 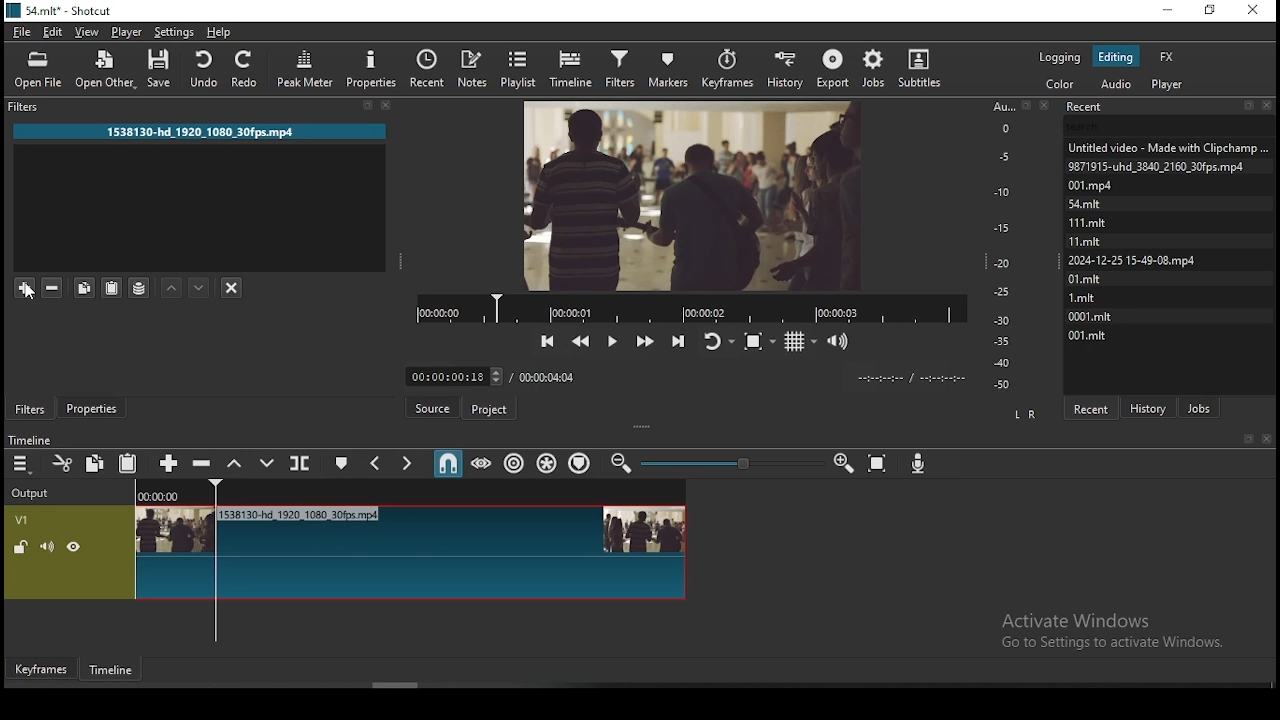 What do you see at coordinates (1134, 259) in the screenshot?
I see `2024-12-25 15-49-08. mp4` at bounding box center [1134, 259].